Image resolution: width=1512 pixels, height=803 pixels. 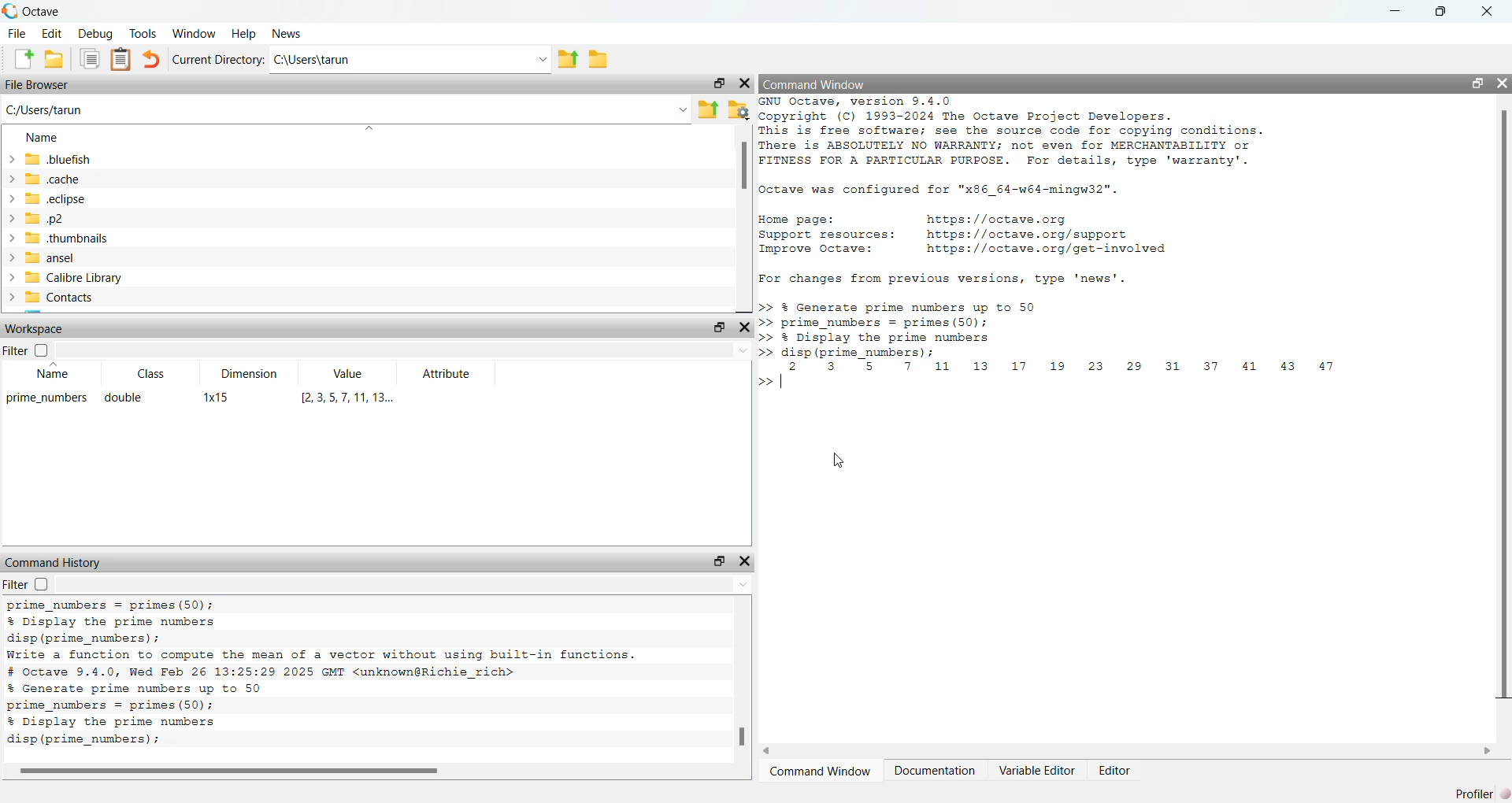 What do you see at coordinates (763, 383) in the screenshot?
I see `>>` at bounding box center [763, 383].